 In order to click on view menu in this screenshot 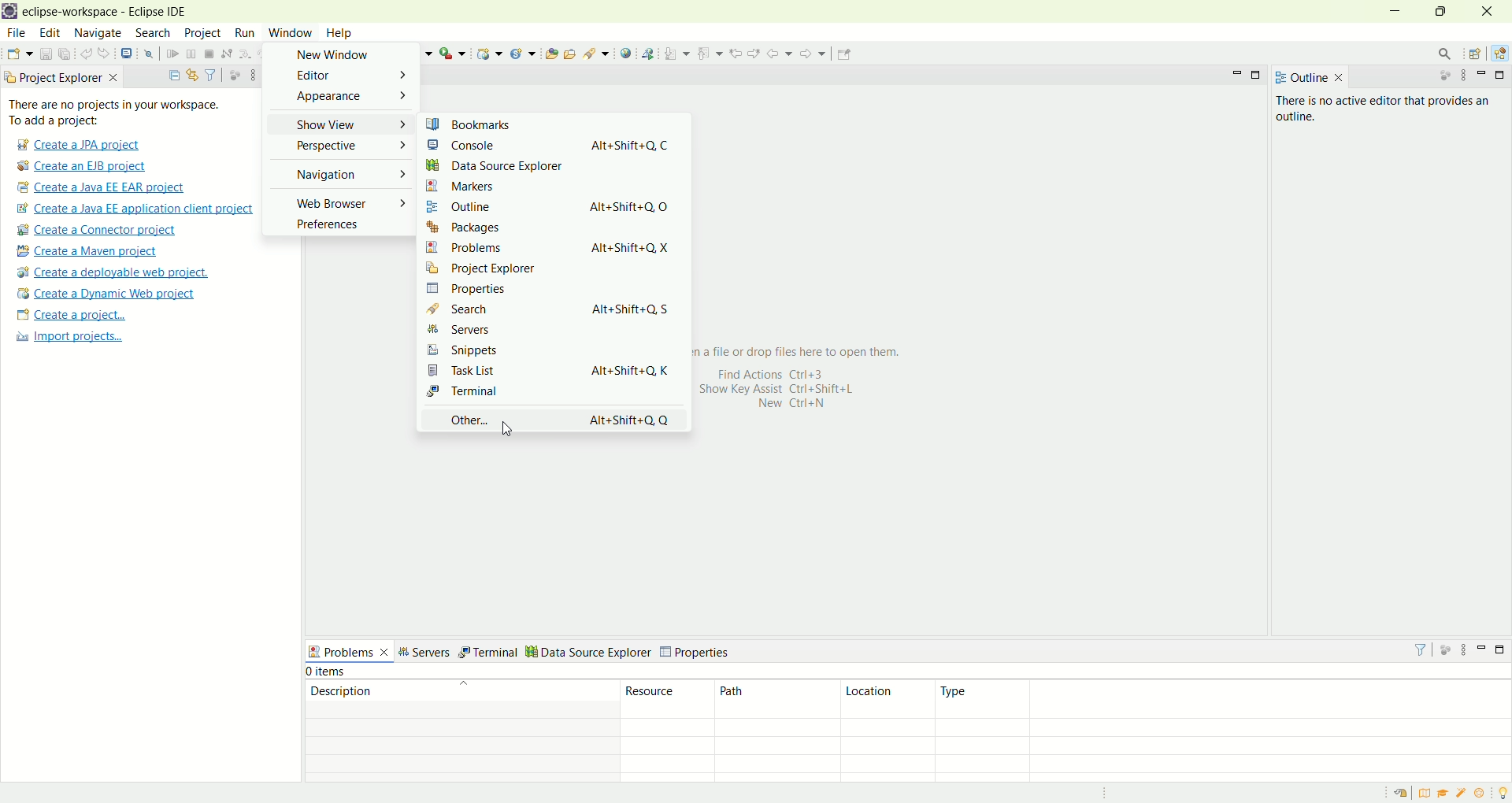, I will do `click(250, 75)`.